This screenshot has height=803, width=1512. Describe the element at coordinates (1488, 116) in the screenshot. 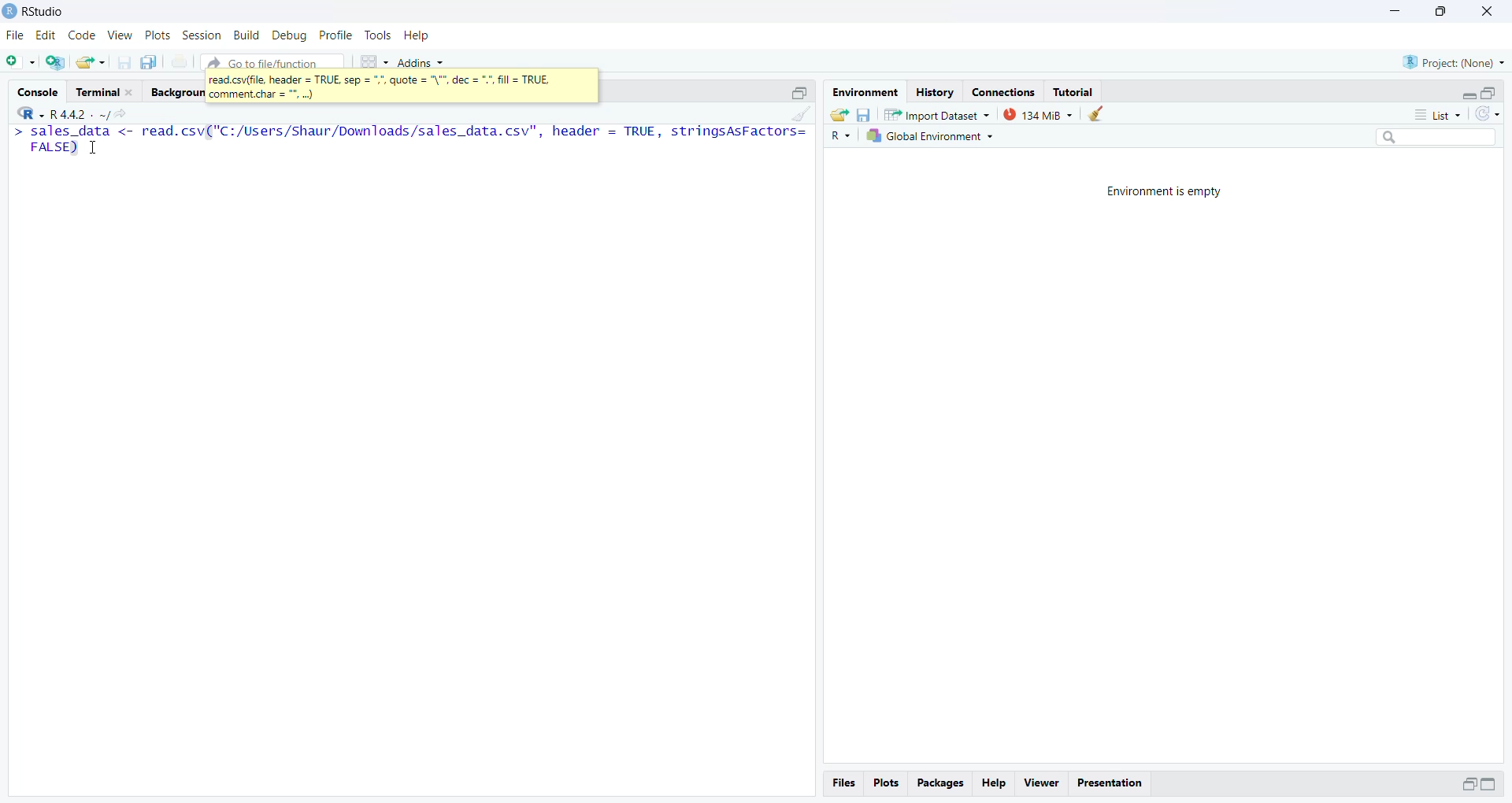

I see `Refresh the list in the Environment` at that location.